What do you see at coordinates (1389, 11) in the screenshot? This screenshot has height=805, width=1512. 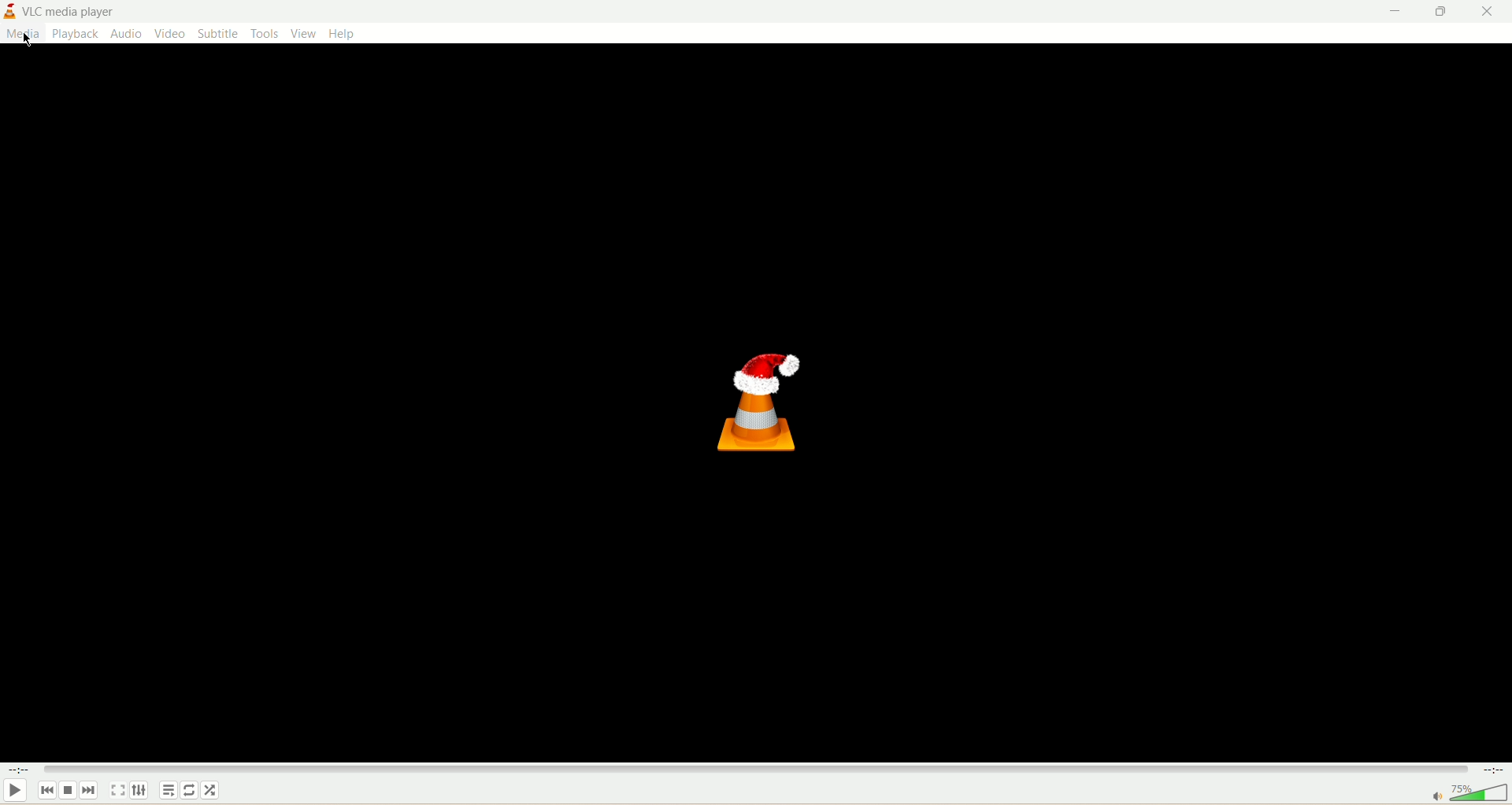 I see `minimize` at bounding box center [1389, 11].